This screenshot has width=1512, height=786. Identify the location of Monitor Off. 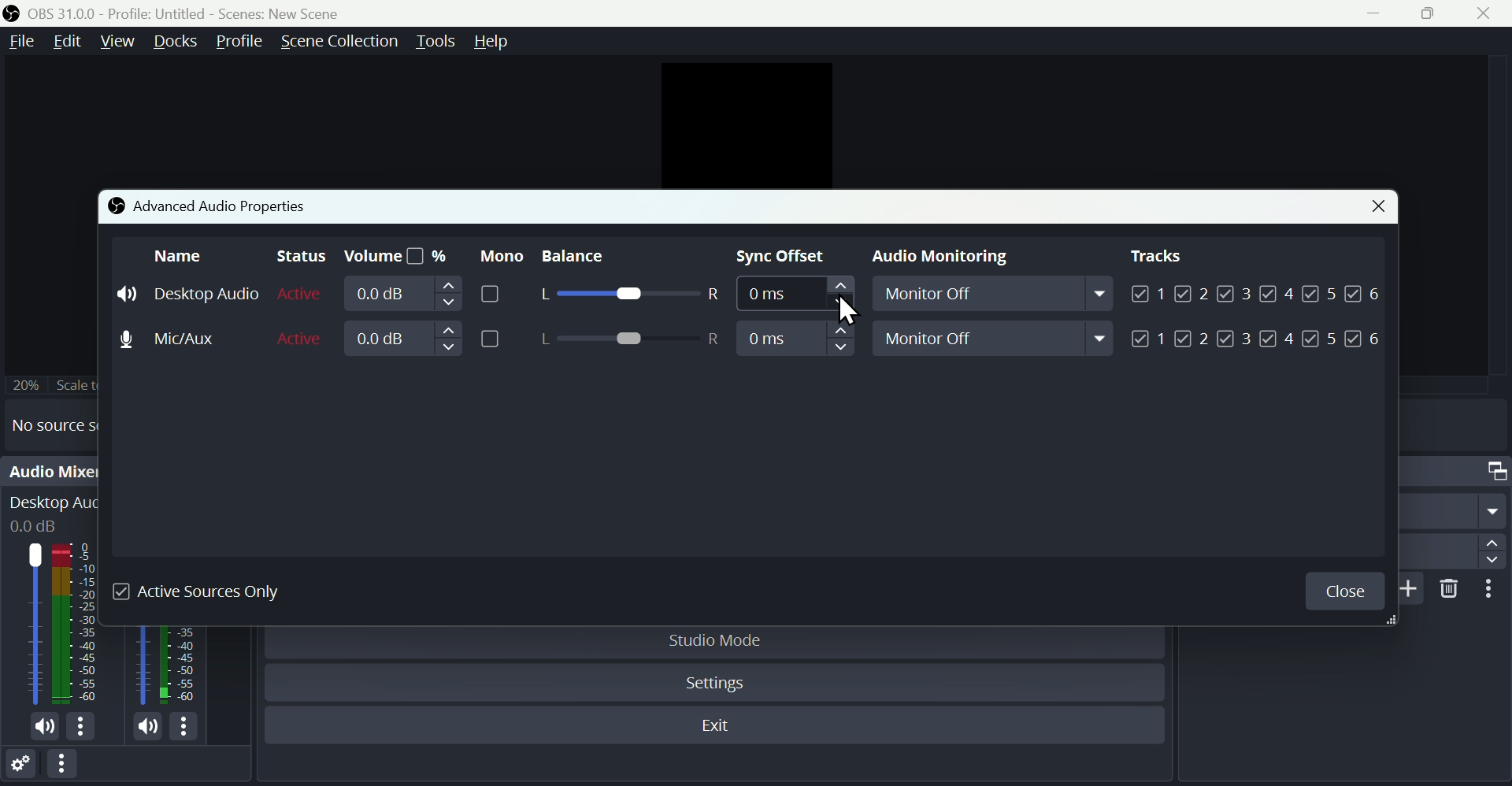
(995, 338).